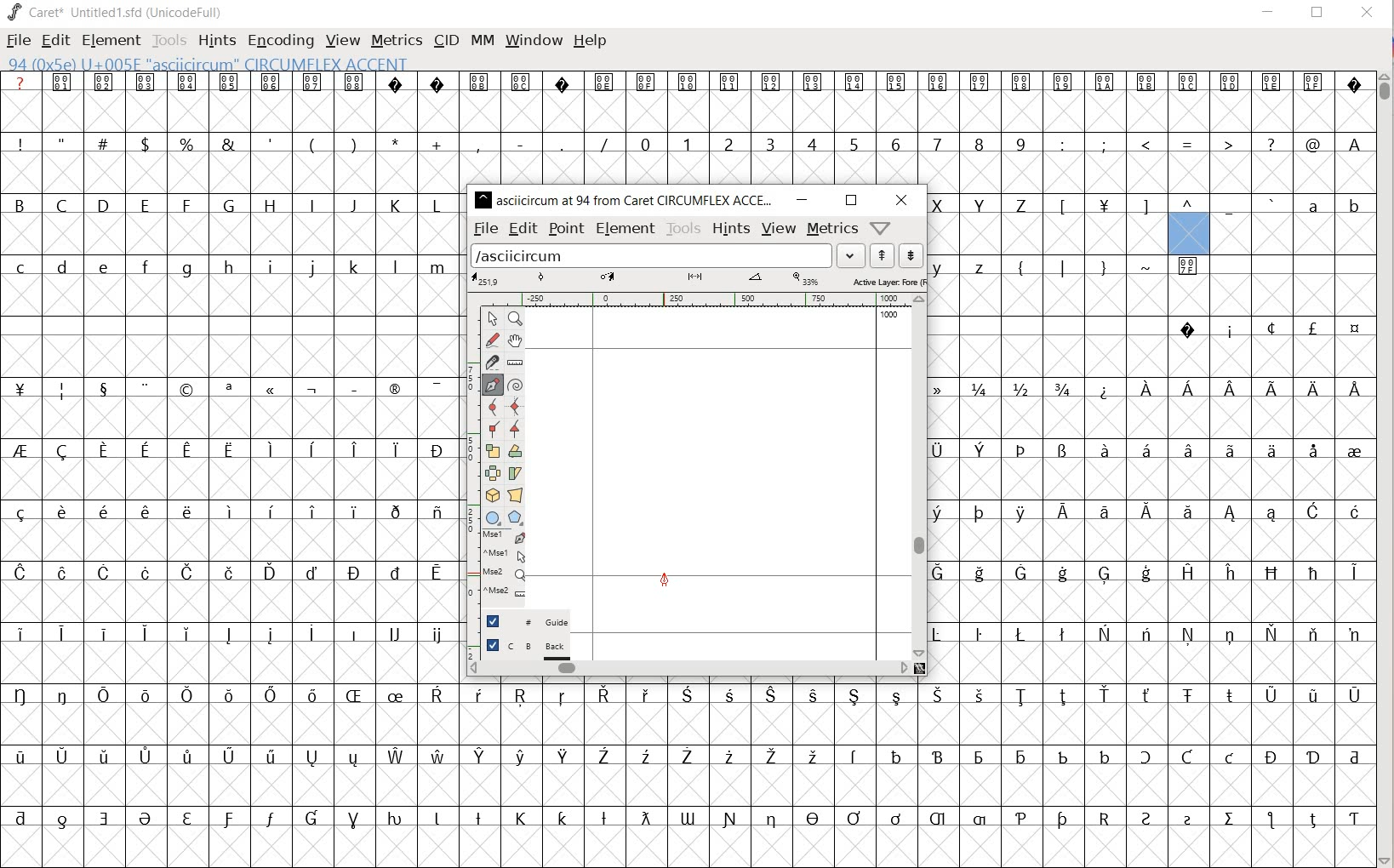  Describe the element at coordinates (878, 227) in the screenshot. I see `window/help` at that location.